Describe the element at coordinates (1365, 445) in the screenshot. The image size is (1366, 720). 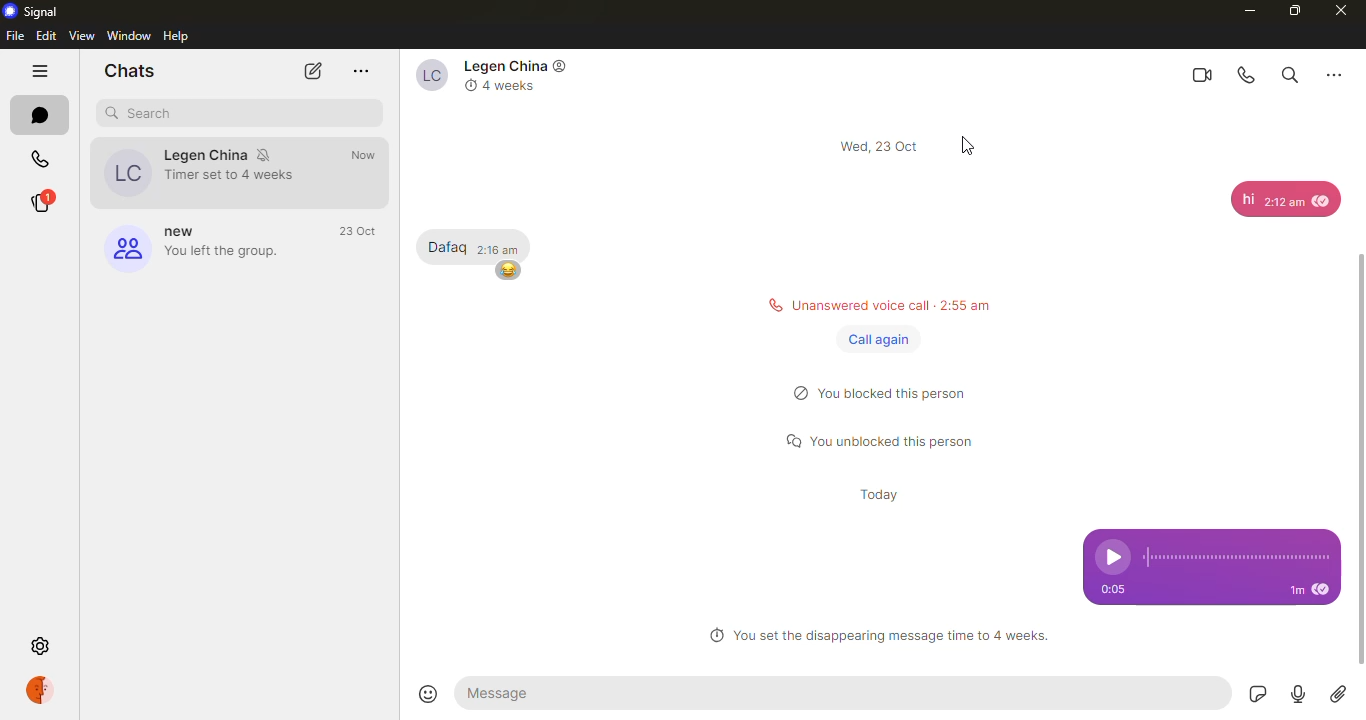
I see `scroll bar` at that location.